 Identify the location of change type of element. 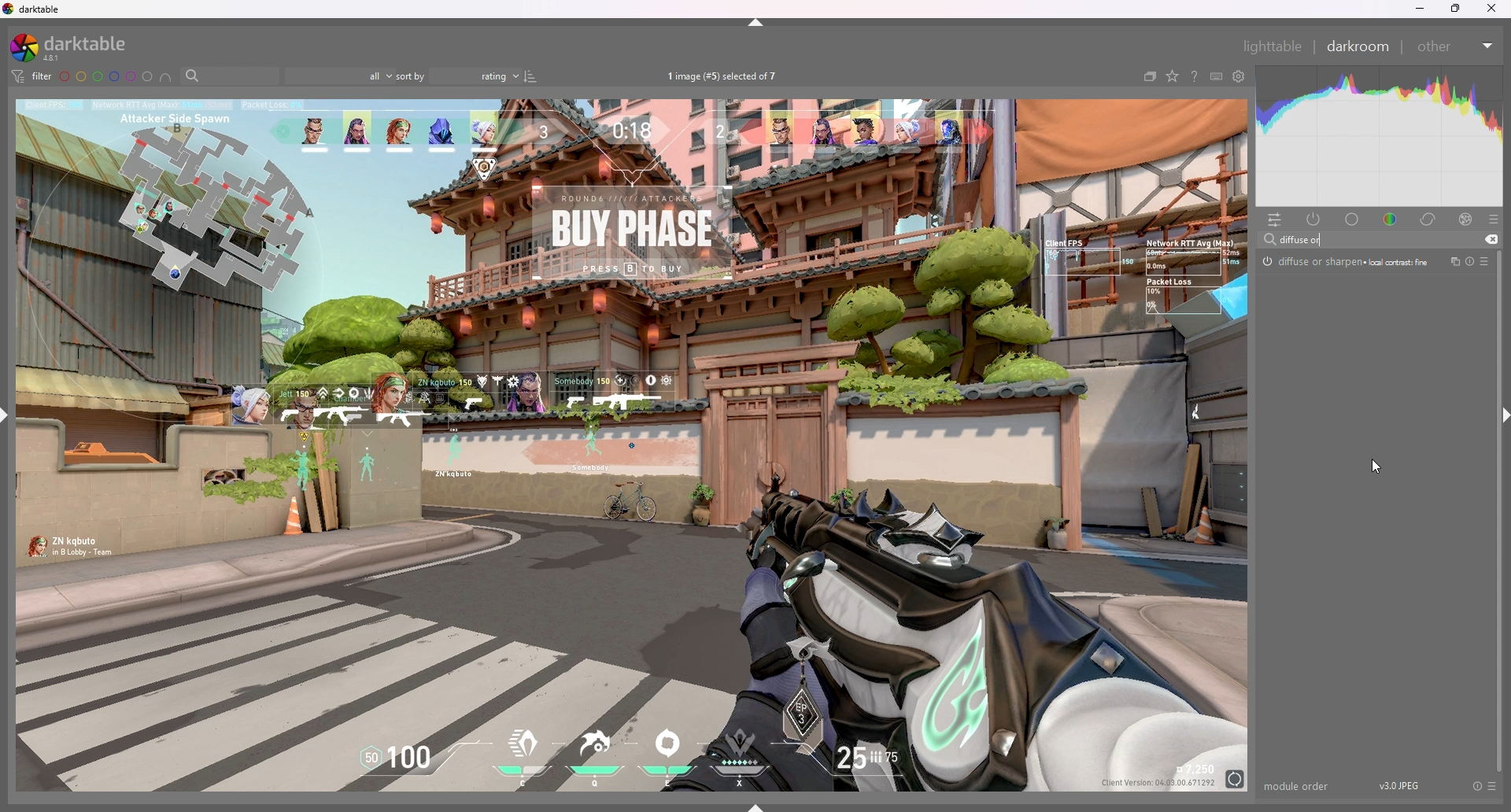
(1173, 76).